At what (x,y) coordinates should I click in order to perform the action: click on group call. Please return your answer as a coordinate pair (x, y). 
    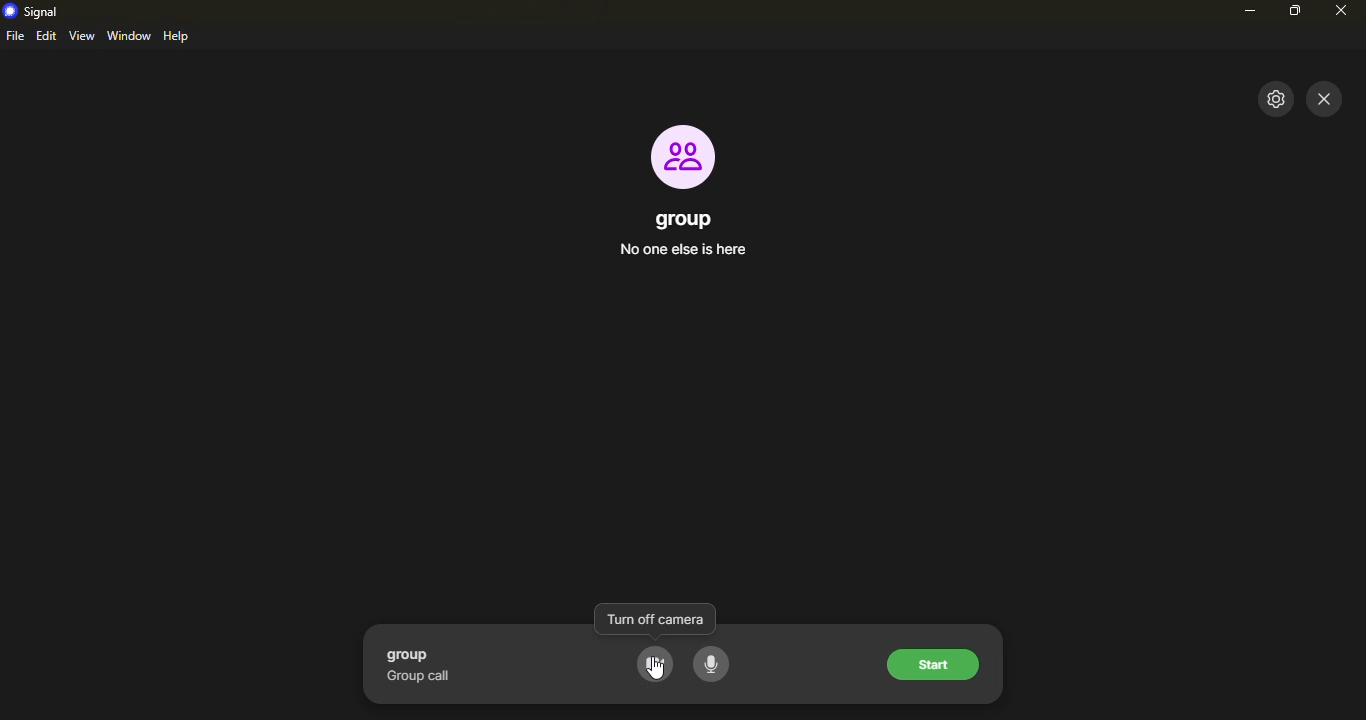
    Looking at the image, I should click on (422, 677).